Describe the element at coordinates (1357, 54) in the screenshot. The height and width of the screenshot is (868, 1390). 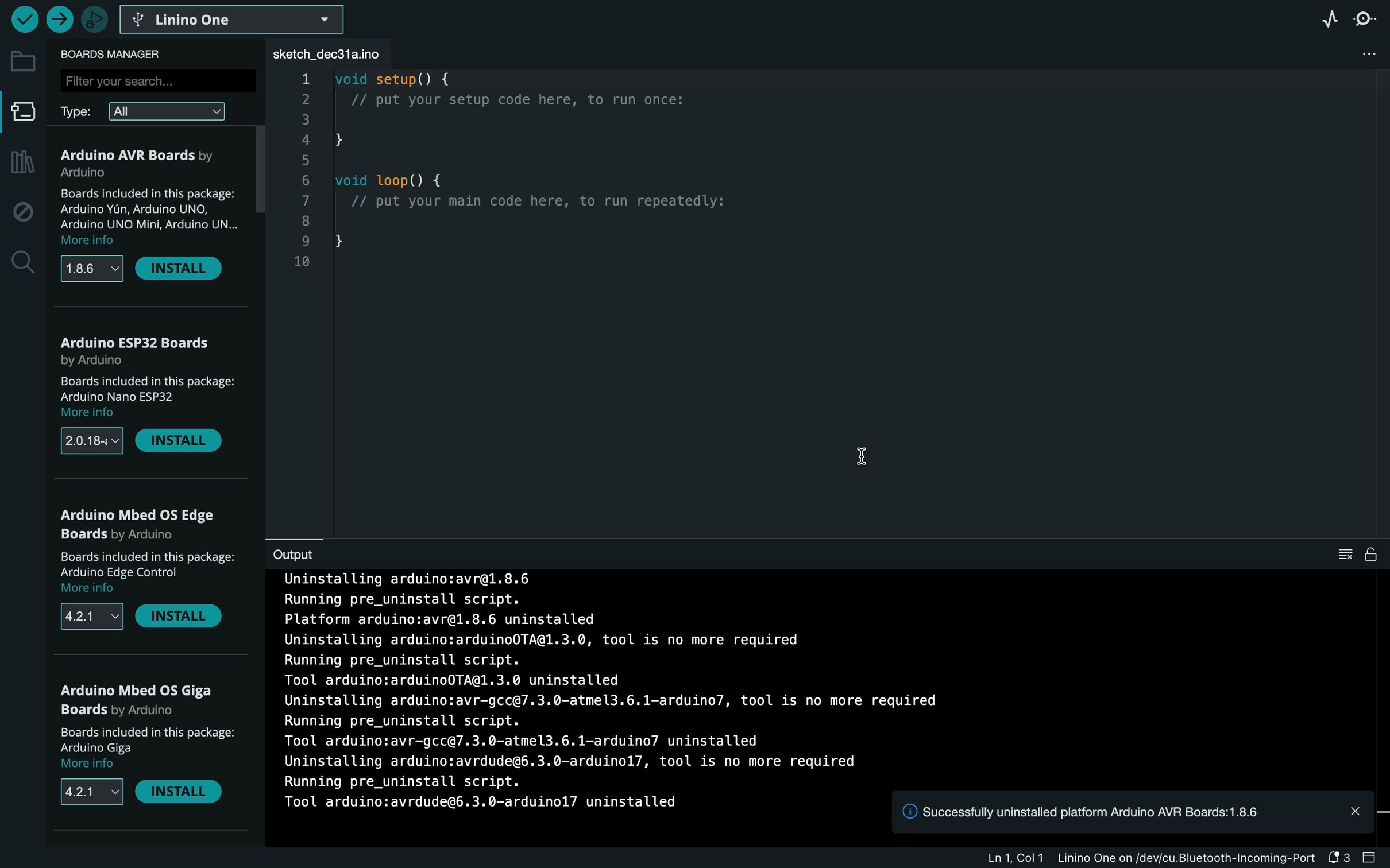
I see `file setting` at that location.